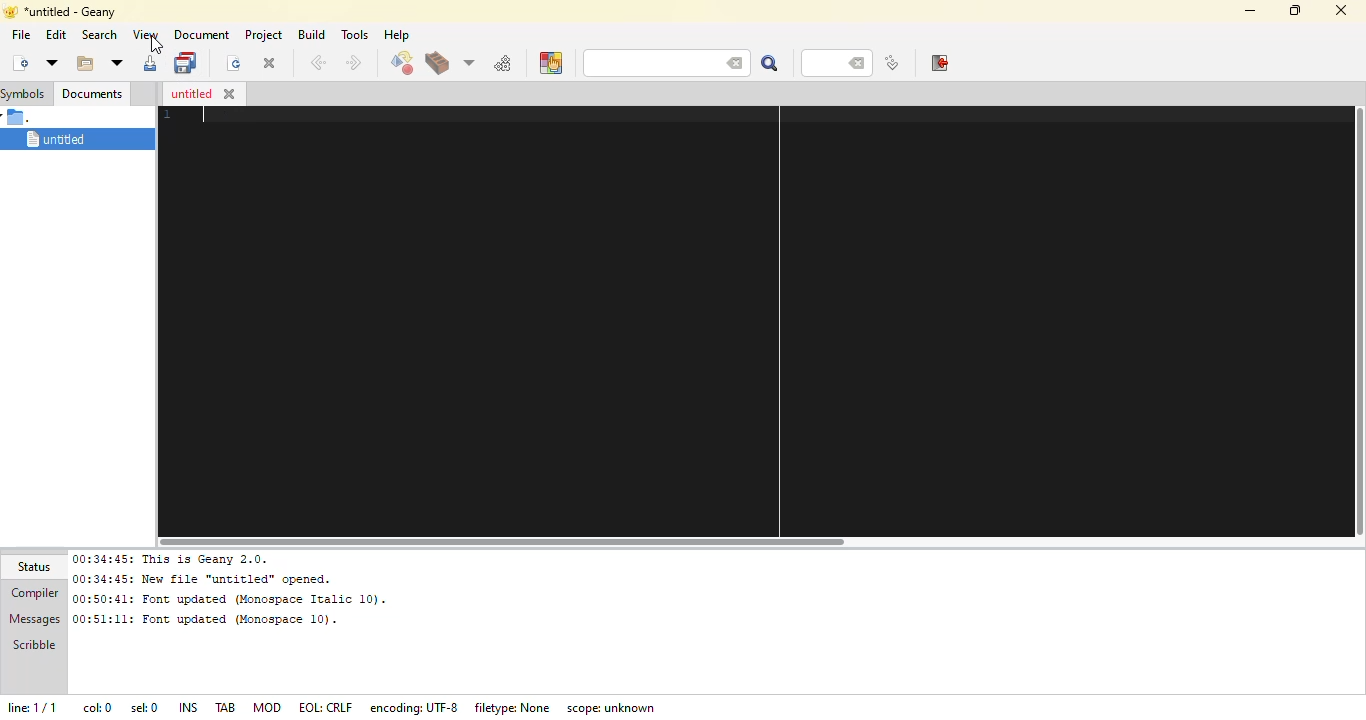 This screenshot has height=720, width=1366. I want to click on untitled, so click(73, 140).